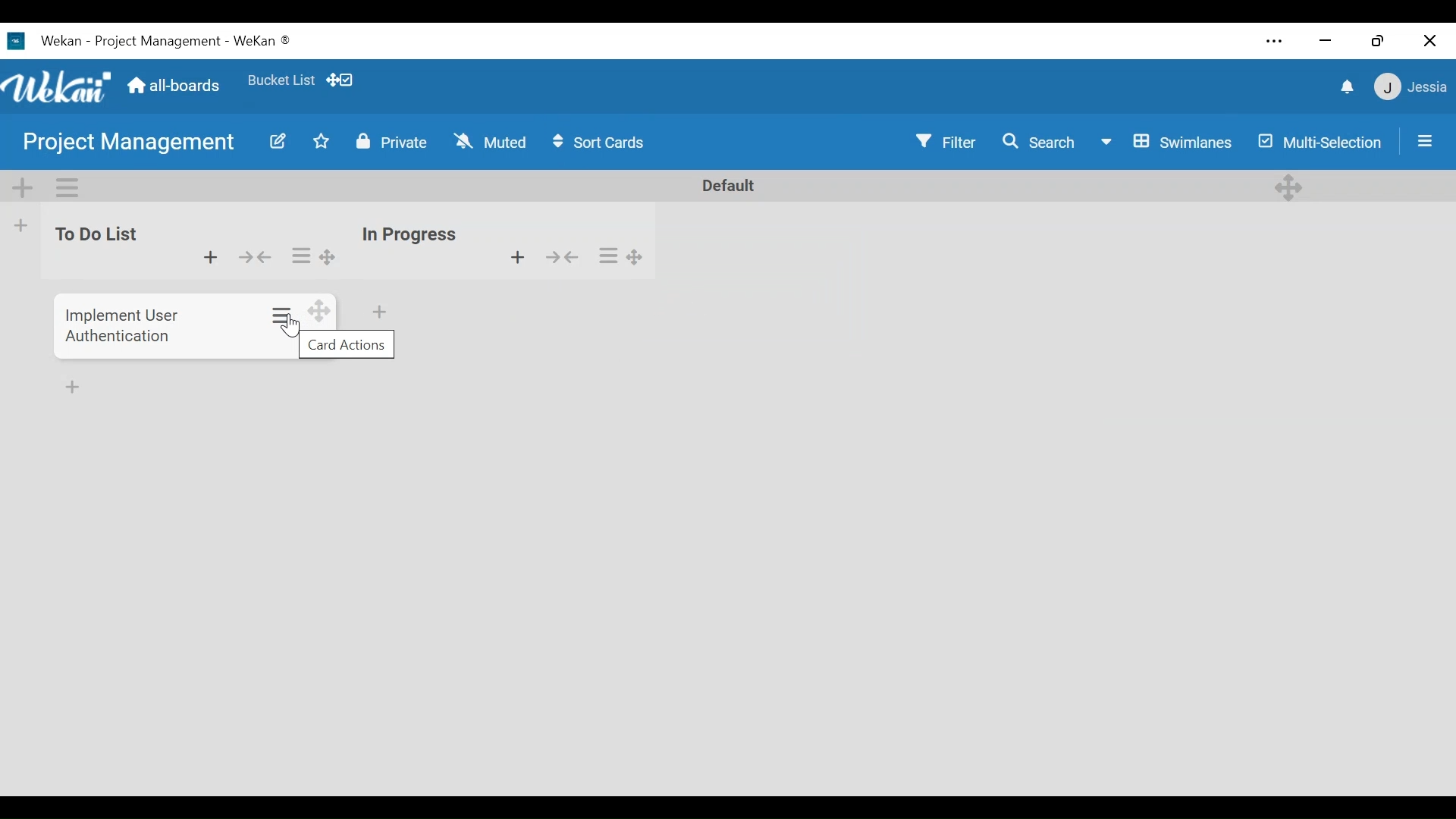  I want to click on add, so click(209, 259).